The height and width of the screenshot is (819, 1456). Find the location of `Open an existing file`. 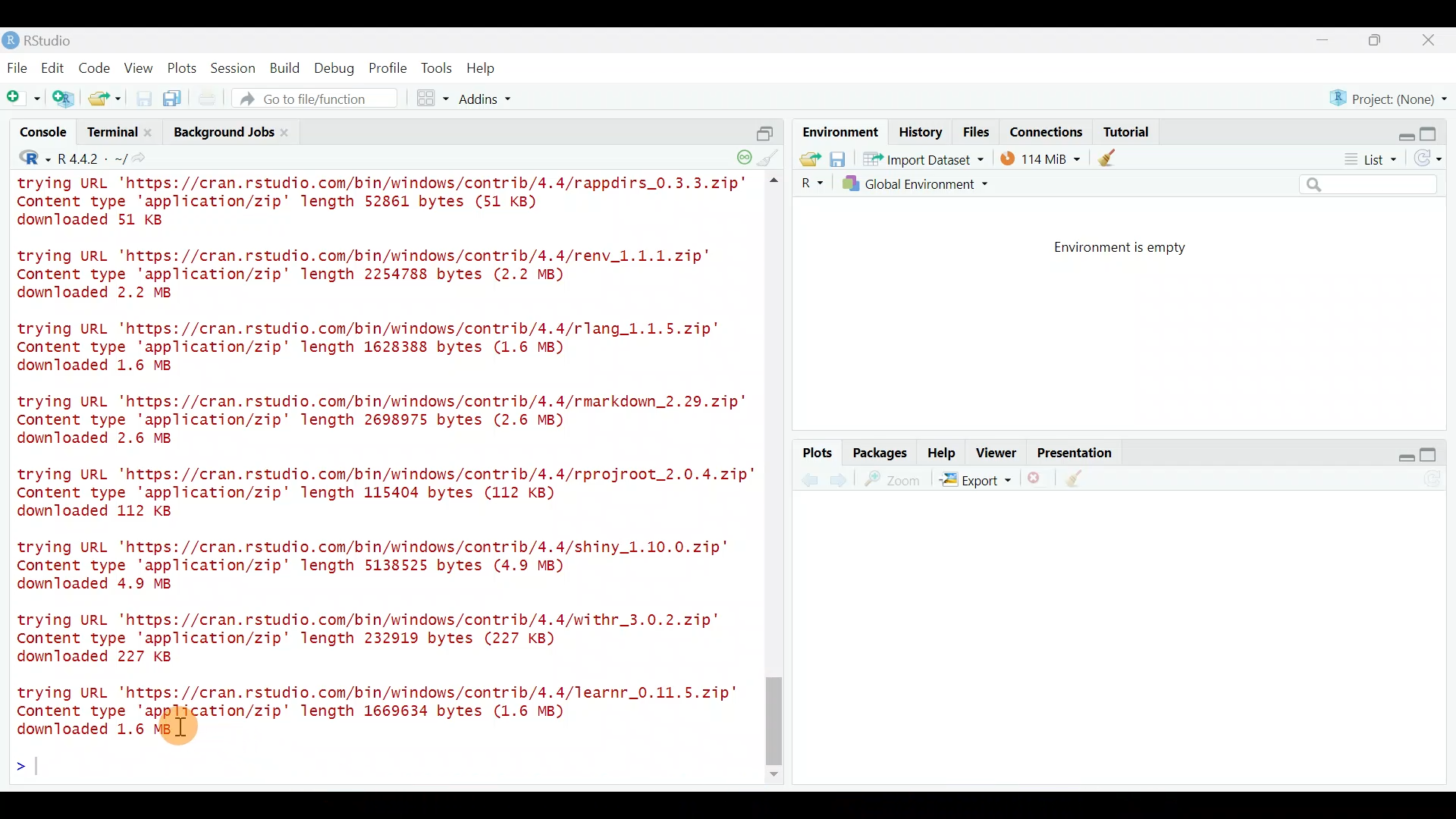

Open an existing file is located at coordinates (106, 100).